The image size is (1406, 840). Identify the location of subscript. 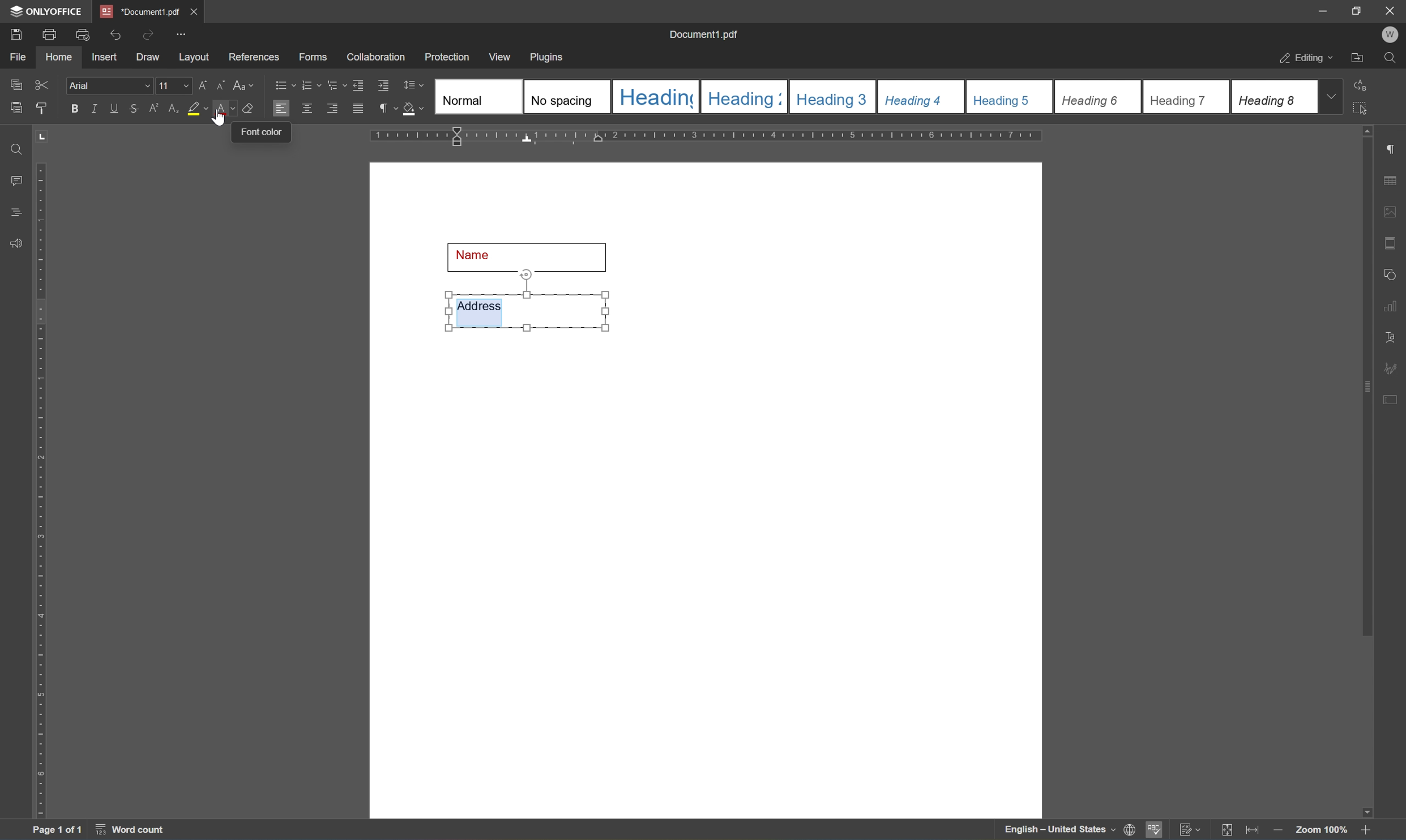
(172, 107).